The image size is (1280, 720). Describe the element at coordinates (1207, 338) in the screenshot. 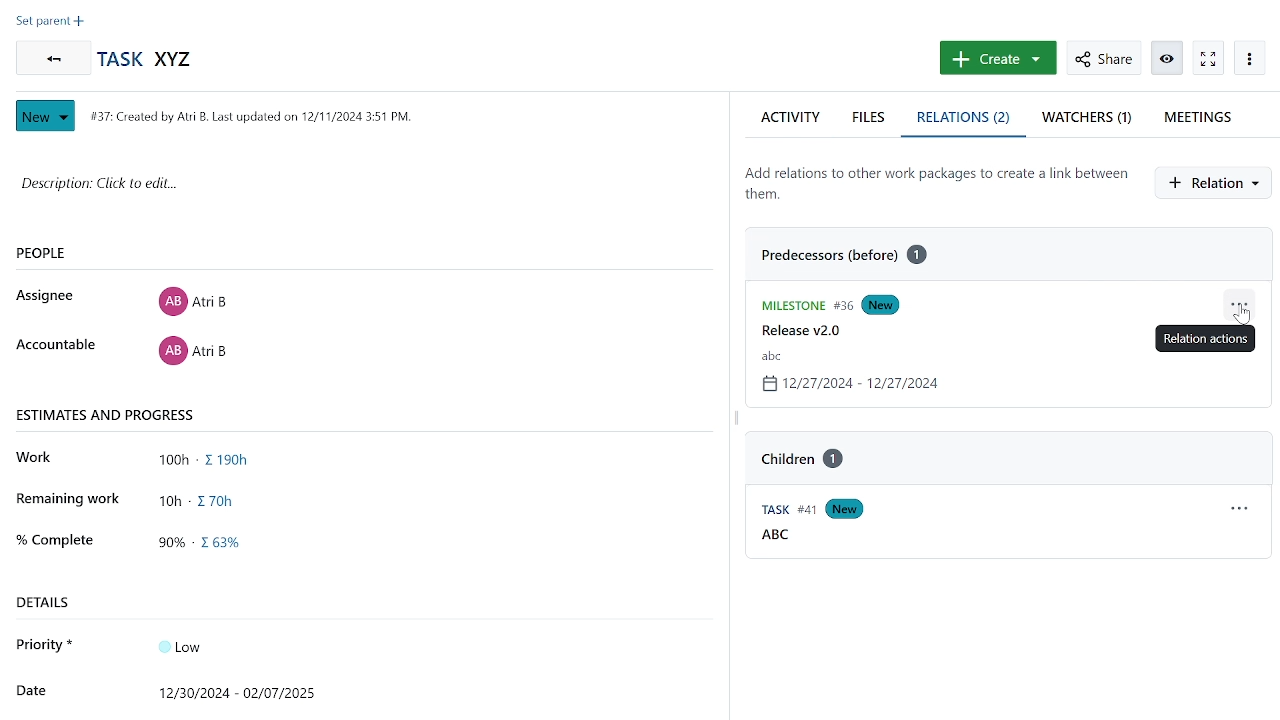

I see `relation actions` at that location.